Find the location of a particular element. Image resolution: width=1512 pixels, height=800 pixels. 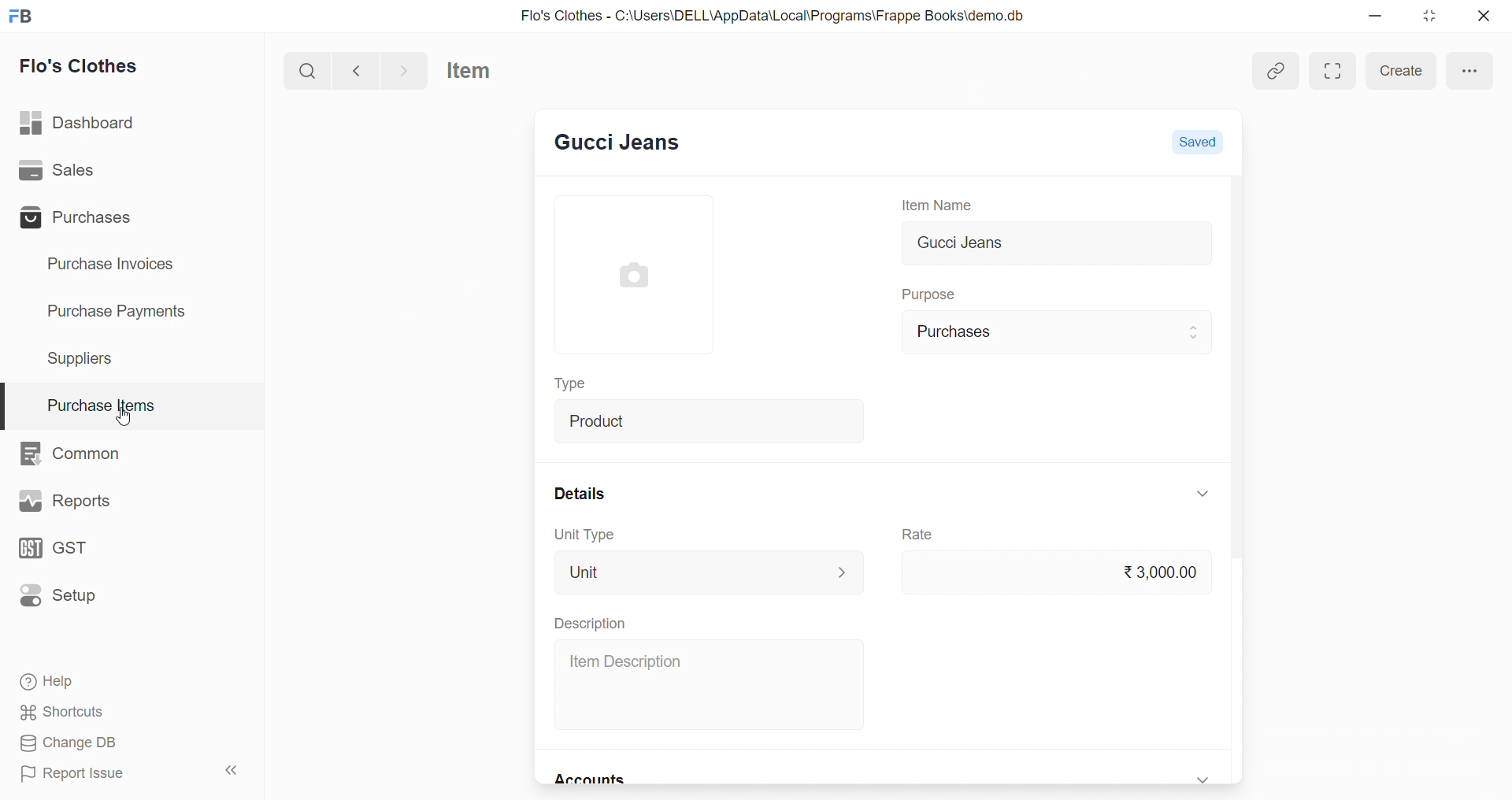

more options is located at coordinates (1466, 70).